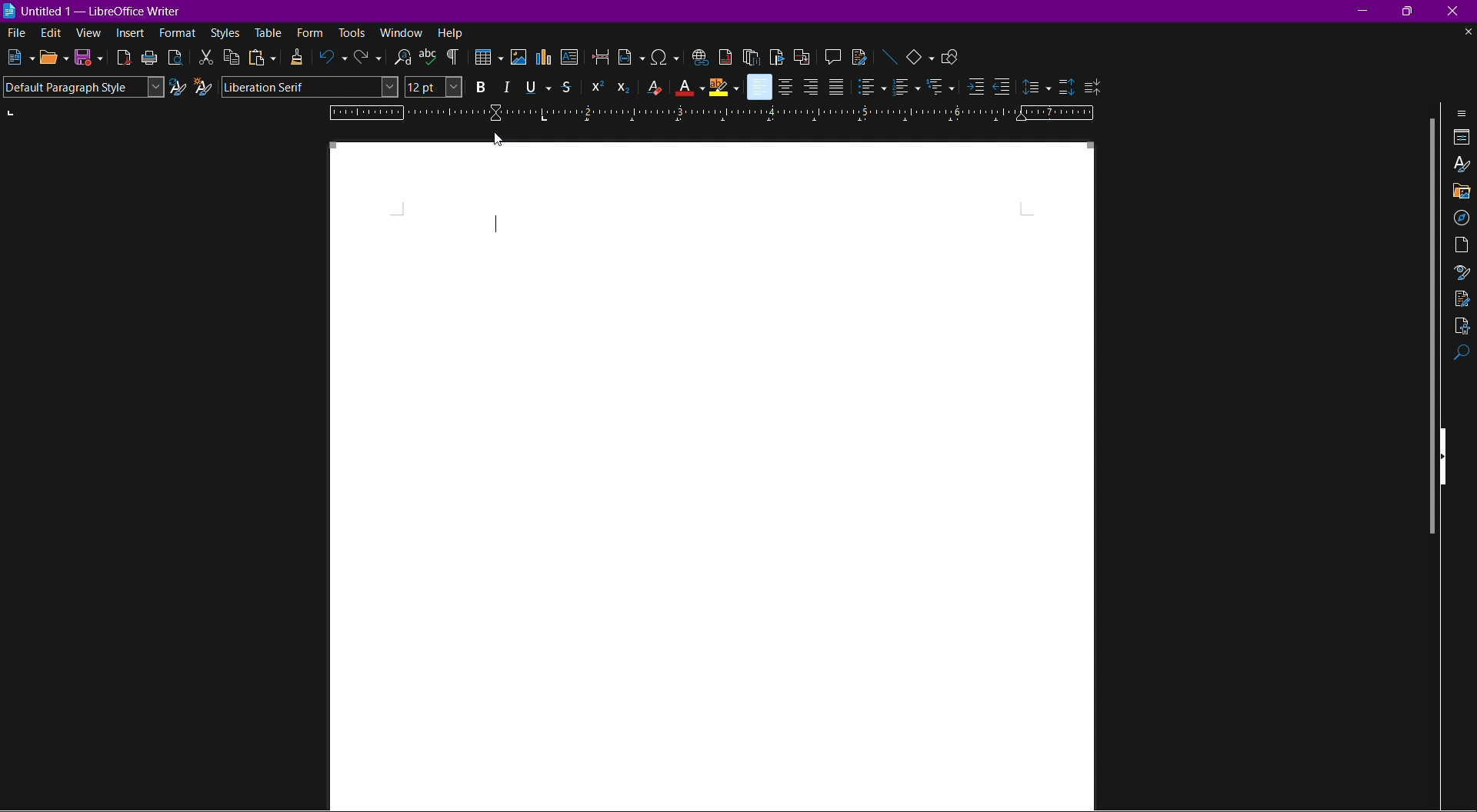 Image resolution: width=1477 pixels, height=812 pixels. I want to click on Insert Cross-Reference, so click(799, 55).